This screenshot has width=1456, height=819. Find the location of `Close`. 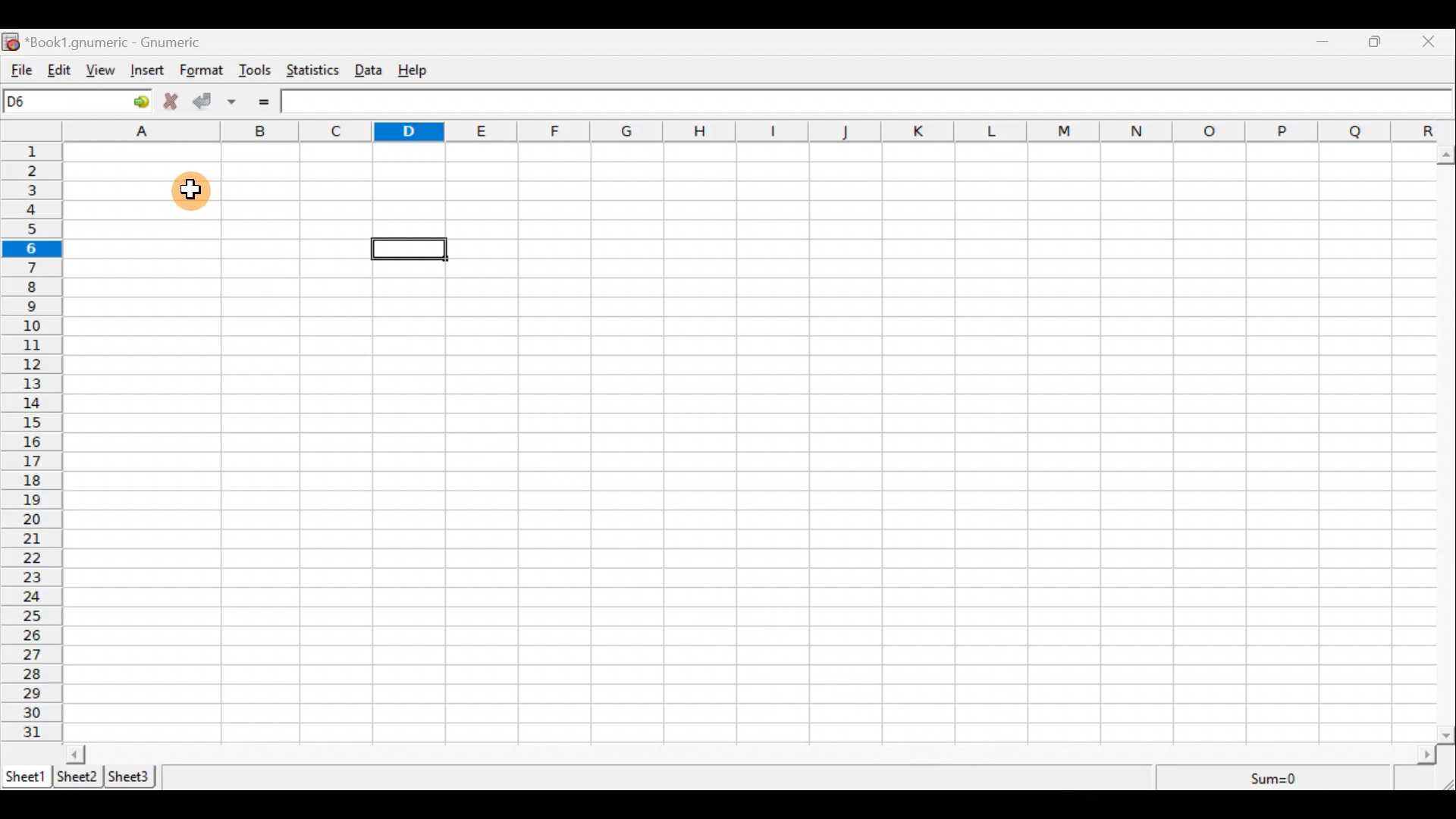

Close is located at coordinates (1435, 42).